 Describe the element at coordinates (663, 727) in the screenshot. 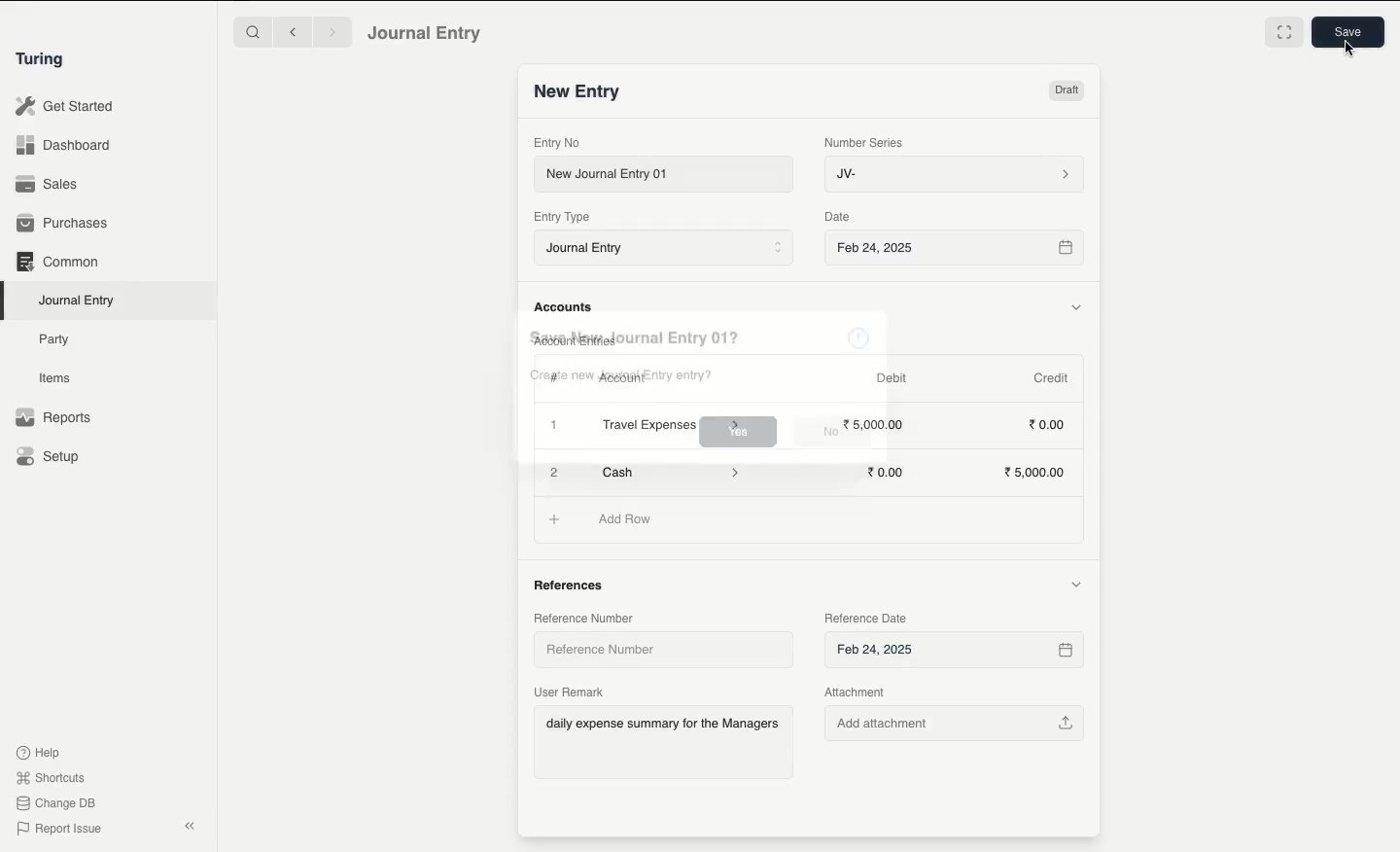

I see `daily expense summary for the Managers` at that location.